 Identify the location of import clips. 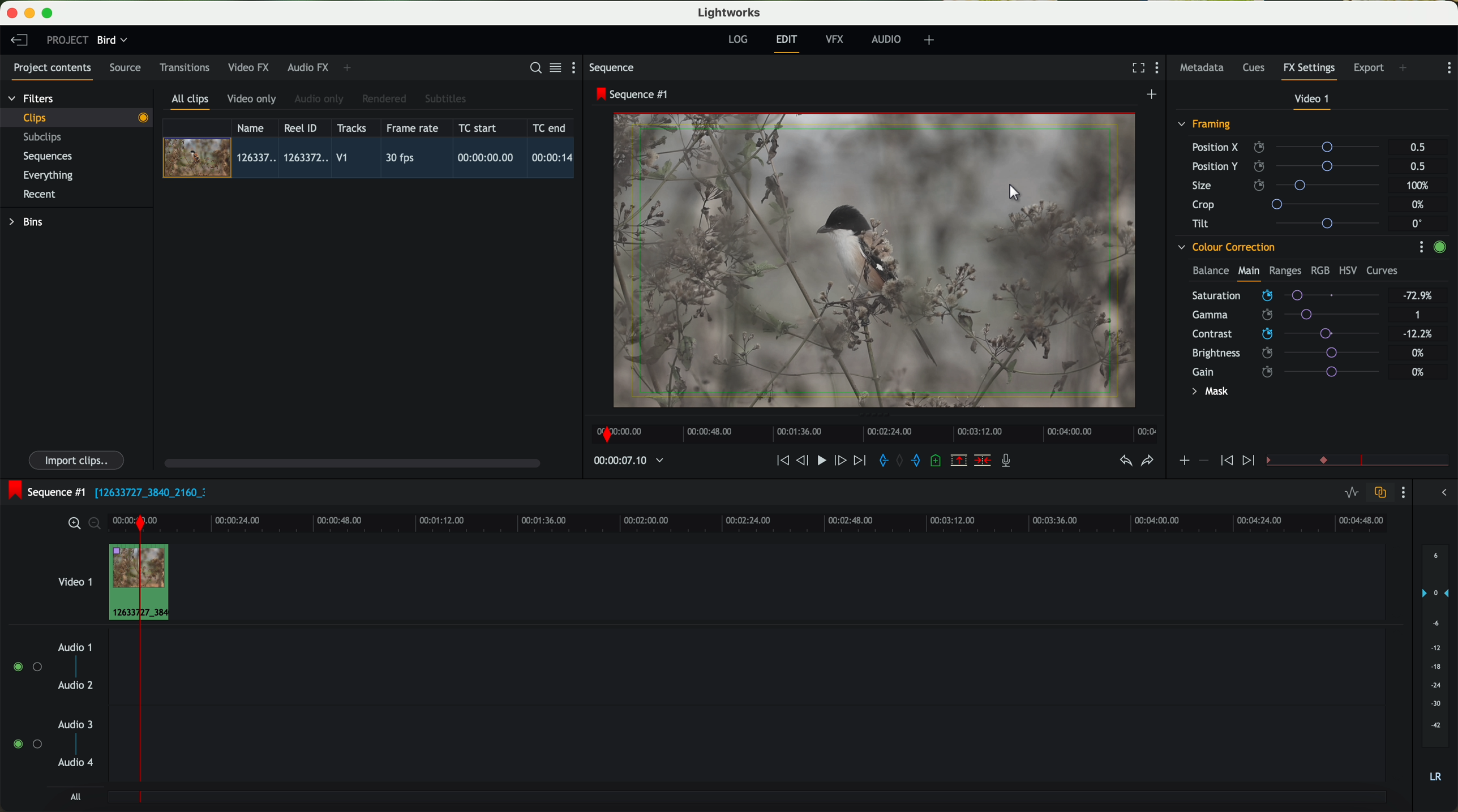
(78, 459).